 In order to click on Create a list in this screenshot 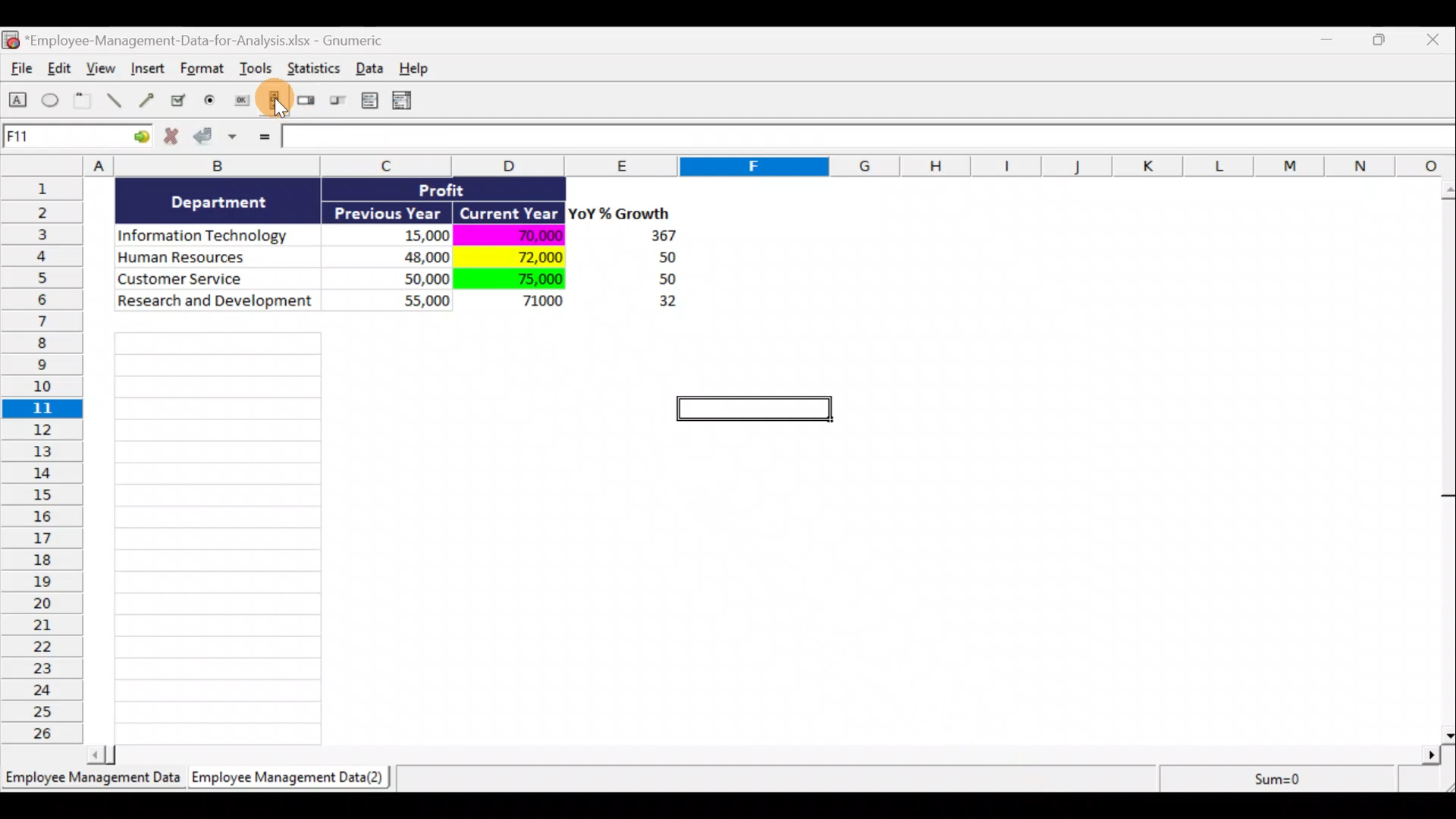, I will do `click(366, 100)`.